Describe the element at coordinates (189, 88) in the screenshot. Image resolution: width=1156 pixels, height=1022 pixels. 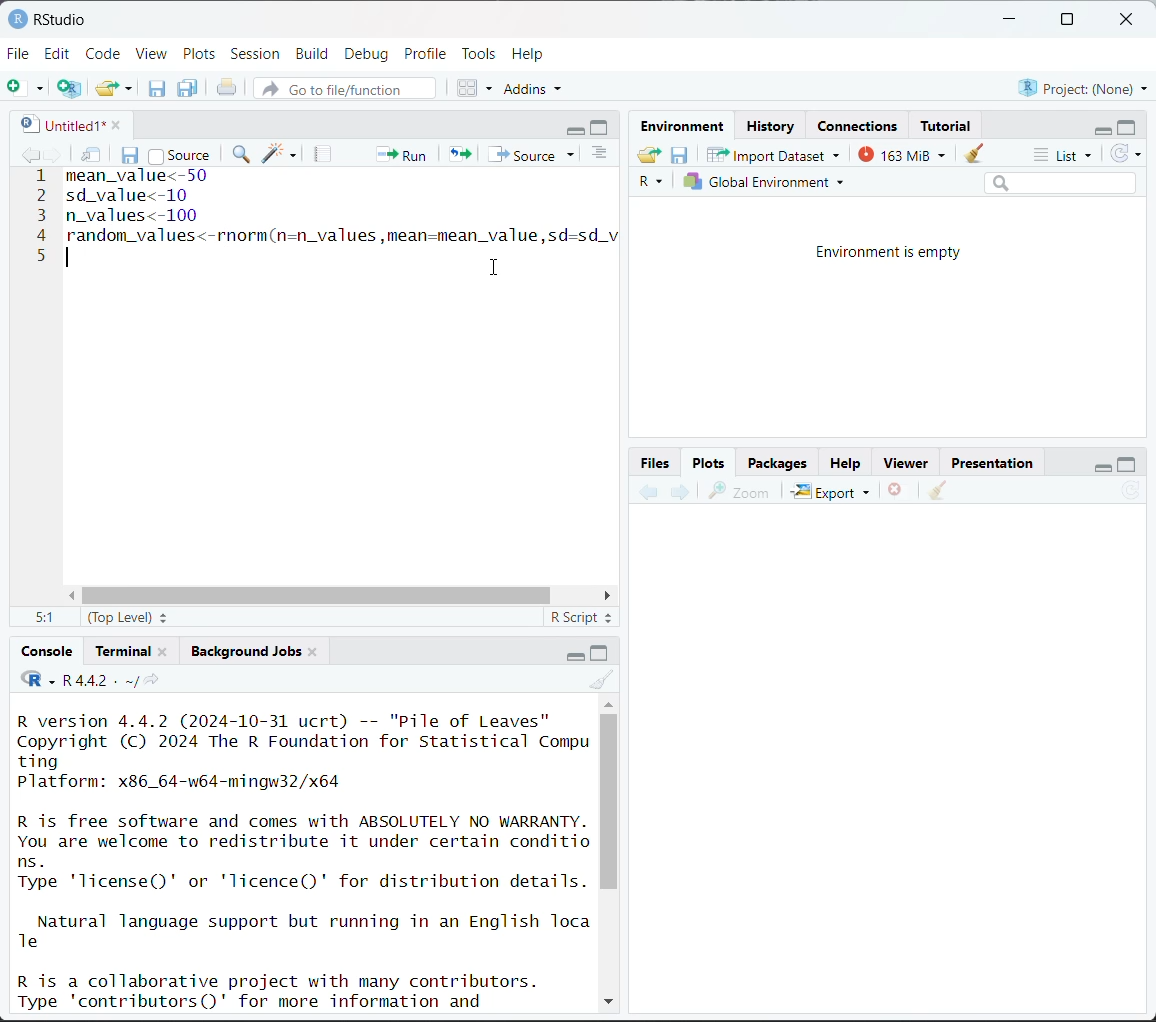
I see `save all open documents` at that location.